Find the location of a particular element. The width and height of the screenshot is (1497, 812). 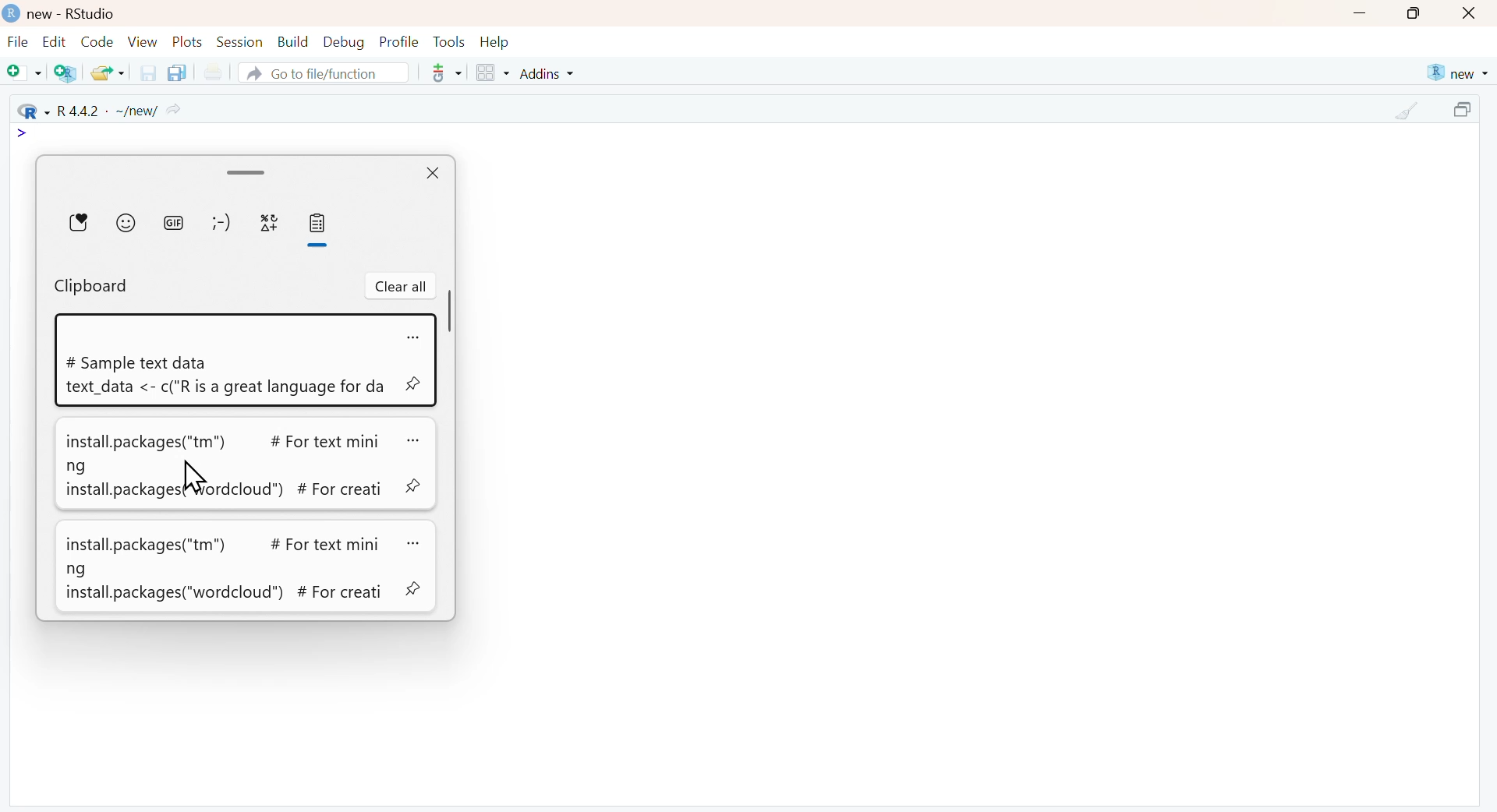

Save the current document is located at coordinates (149, 72).